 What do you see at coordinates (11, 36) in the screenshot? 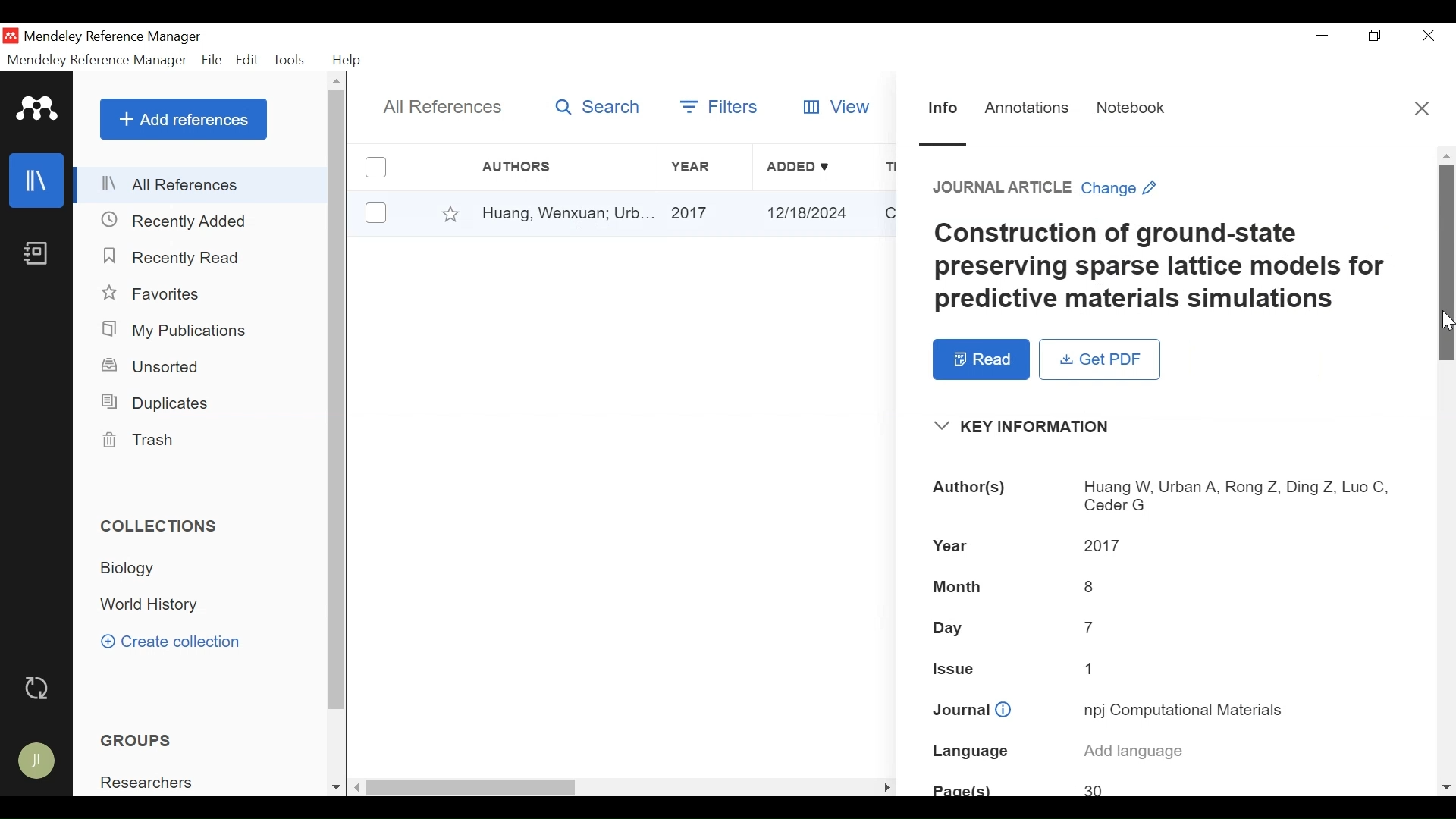
I see `Mendeley Desktop Icon` at bounding box center [11, 36].